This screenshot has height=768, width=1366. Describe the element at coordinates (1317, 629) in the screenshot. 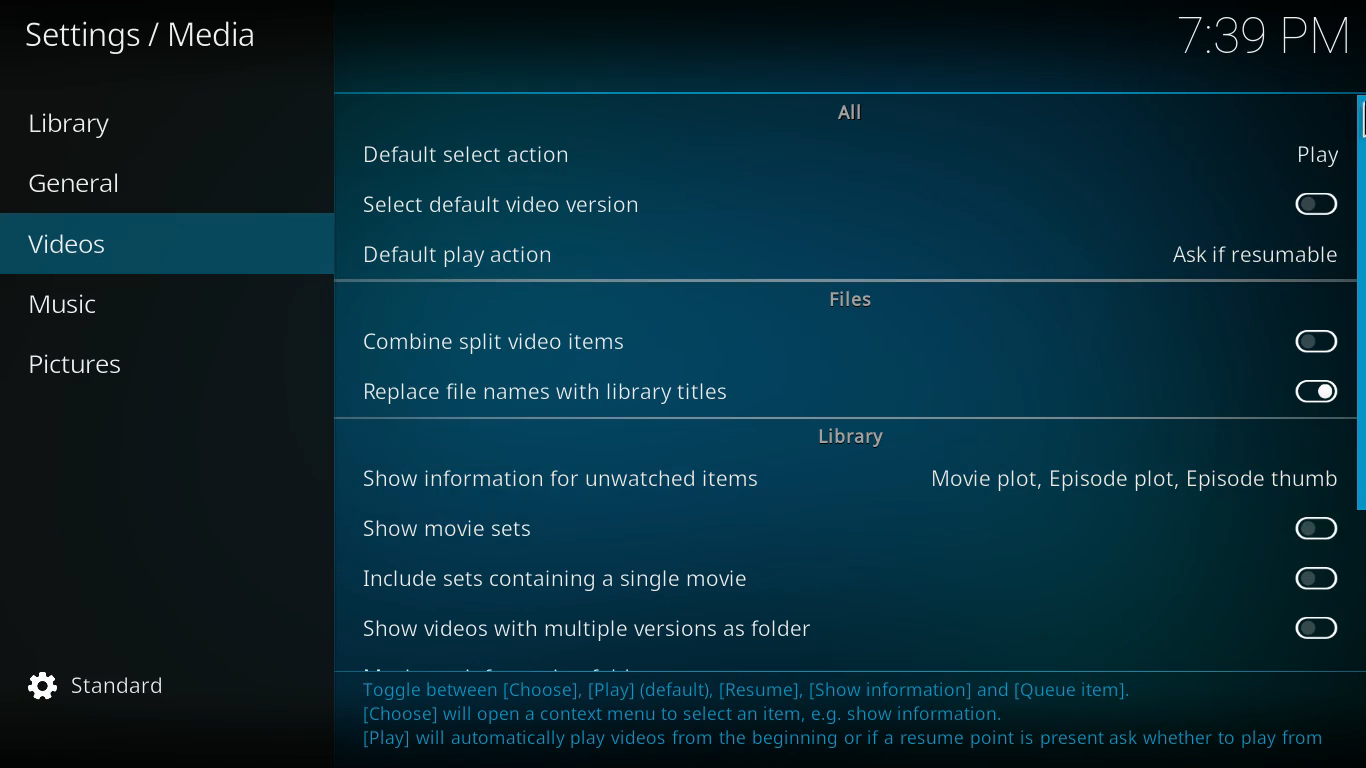

I see `off` at that location.